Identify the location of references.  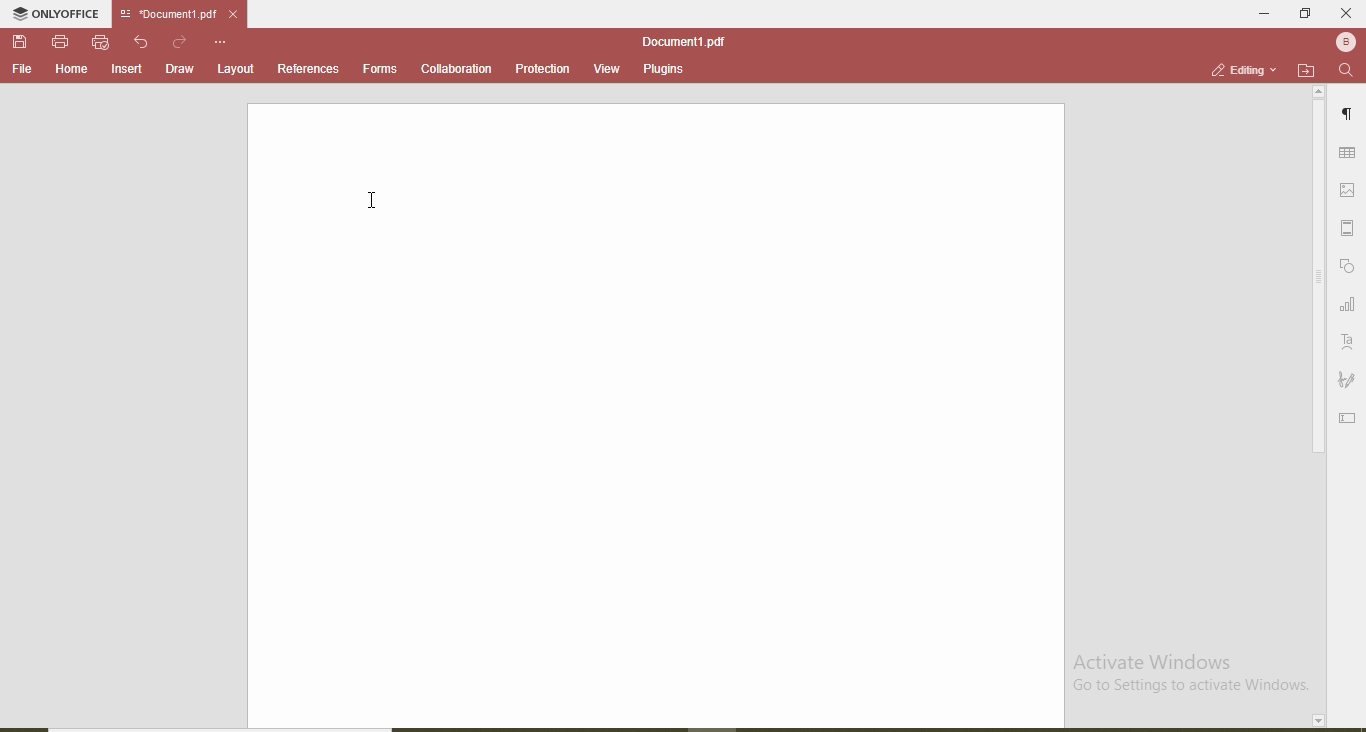
(308, 68).